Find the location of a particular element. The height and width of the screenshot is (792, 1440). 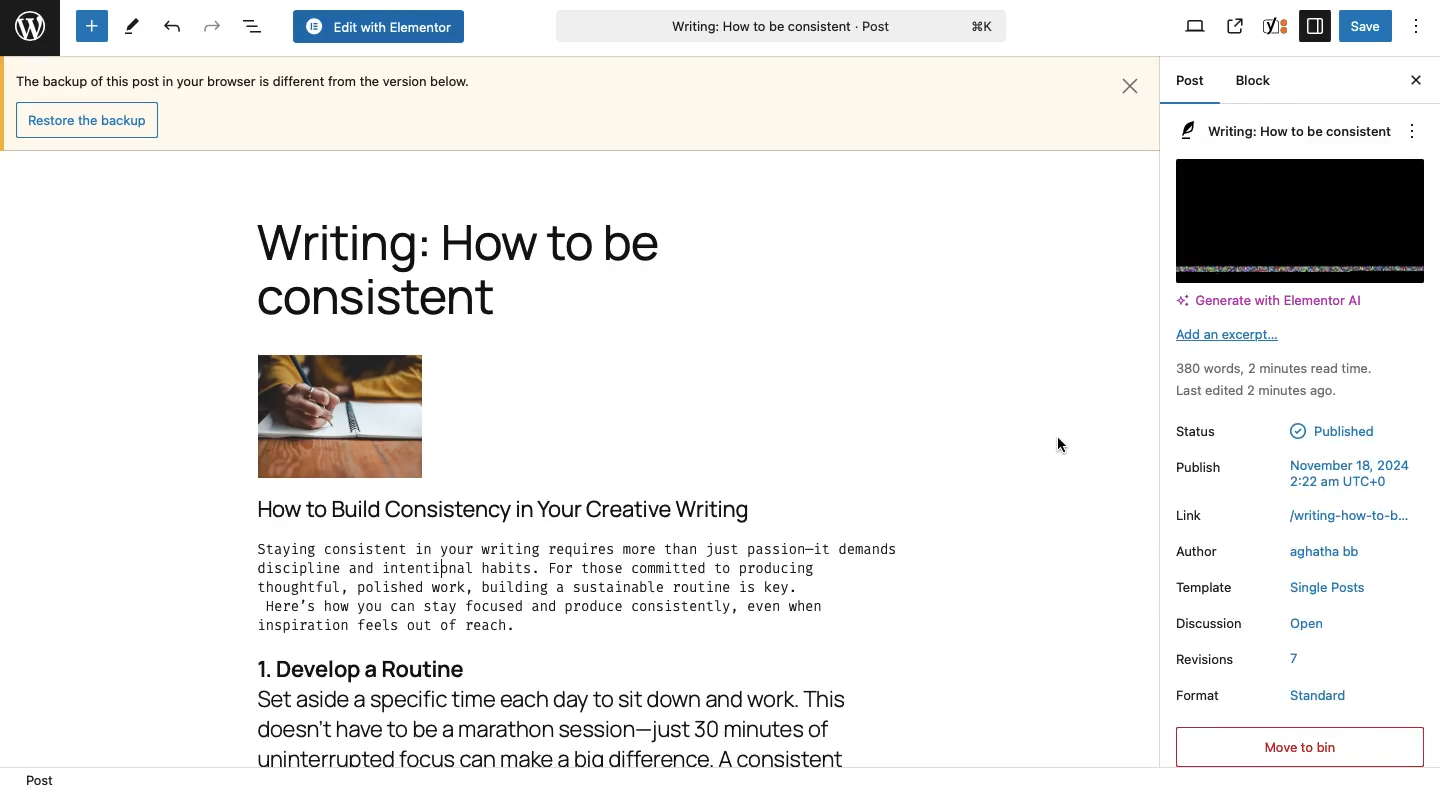

Redo is located at coordinates (212, 26).